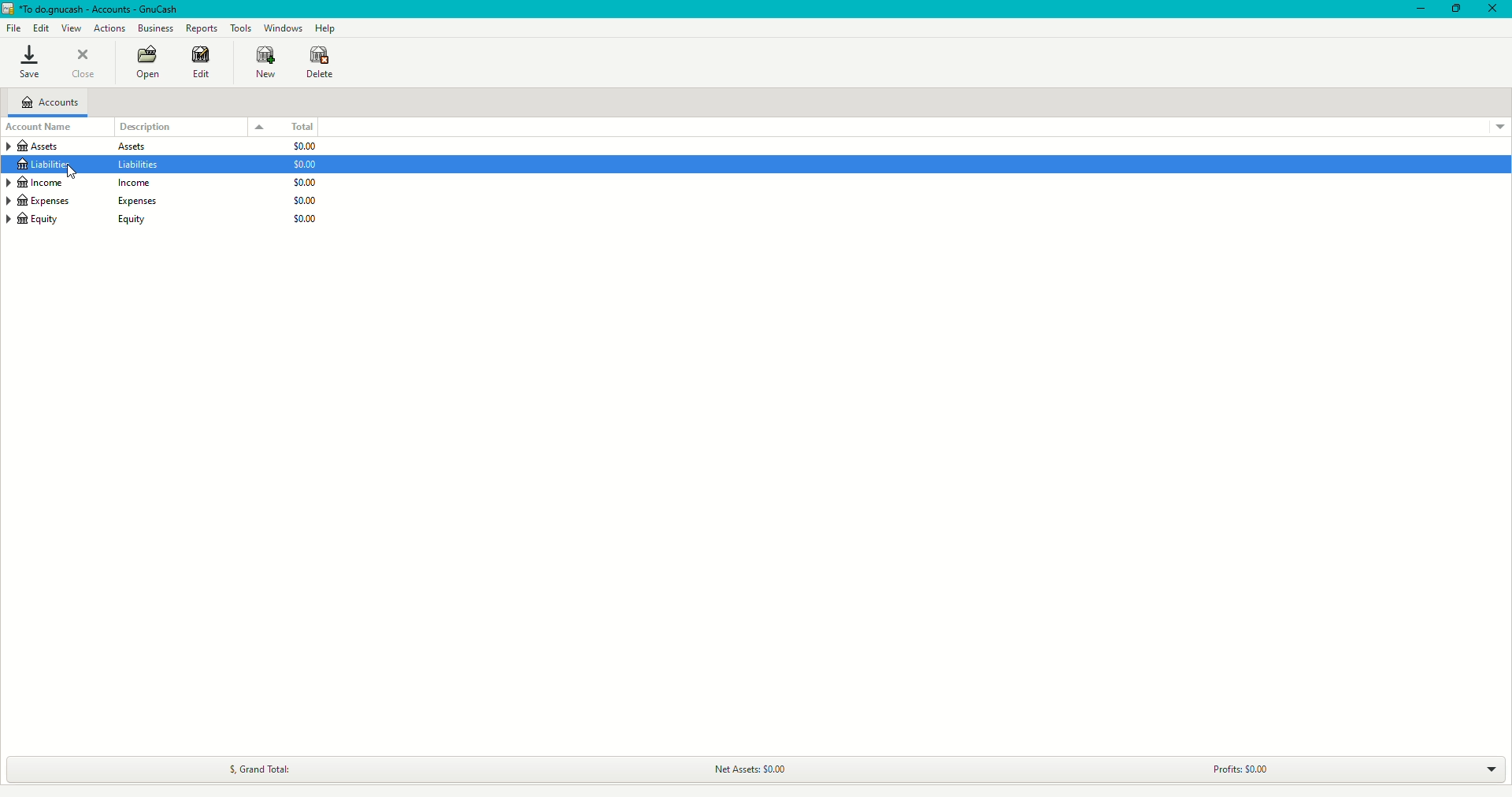  What do you see at coordinates (146, 63) in the screenshot?
I see `Open` at bounding box center [146, 63].